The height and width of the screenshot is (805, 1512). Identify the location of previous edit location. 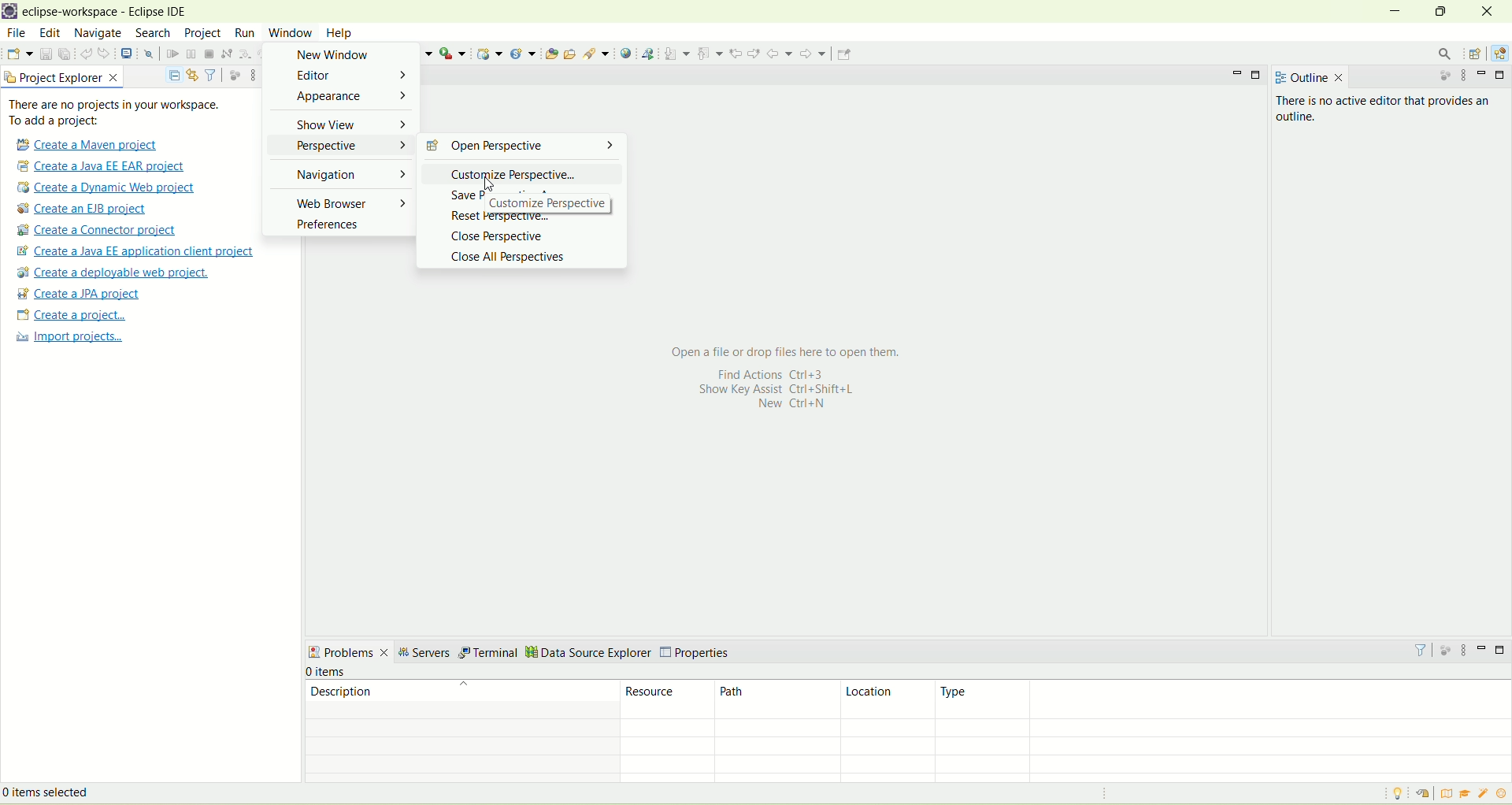
(734, 53).